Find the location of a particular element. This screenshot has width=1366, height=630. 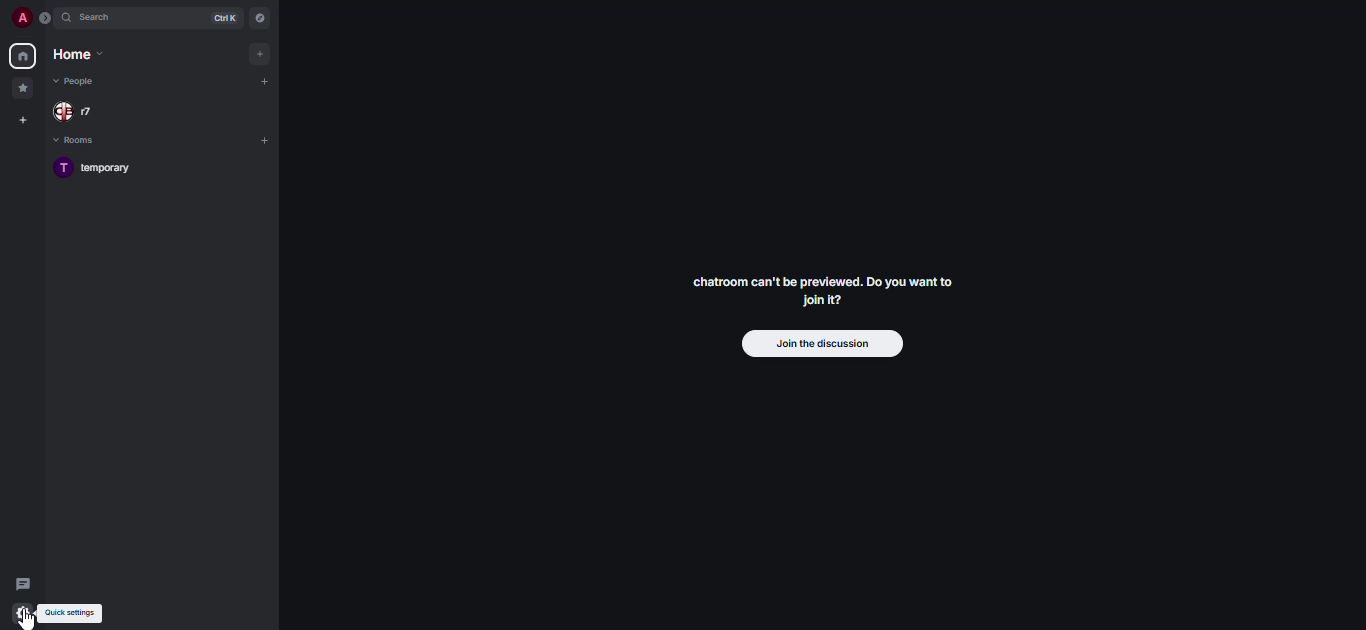

temporary is located at coordinates (101, 168).